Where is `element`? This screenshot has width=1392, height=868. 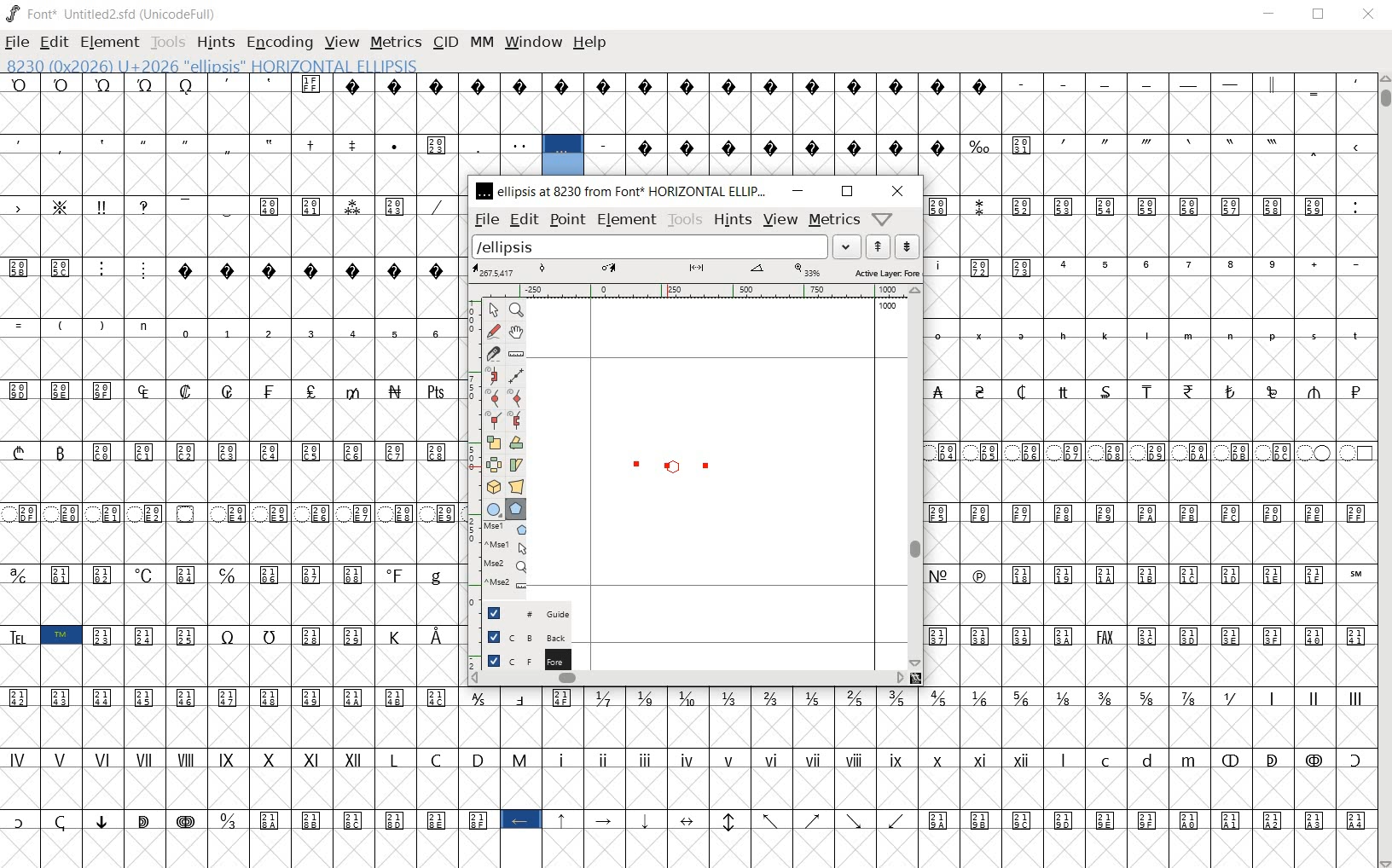
element is located at coordinates (626, 219).